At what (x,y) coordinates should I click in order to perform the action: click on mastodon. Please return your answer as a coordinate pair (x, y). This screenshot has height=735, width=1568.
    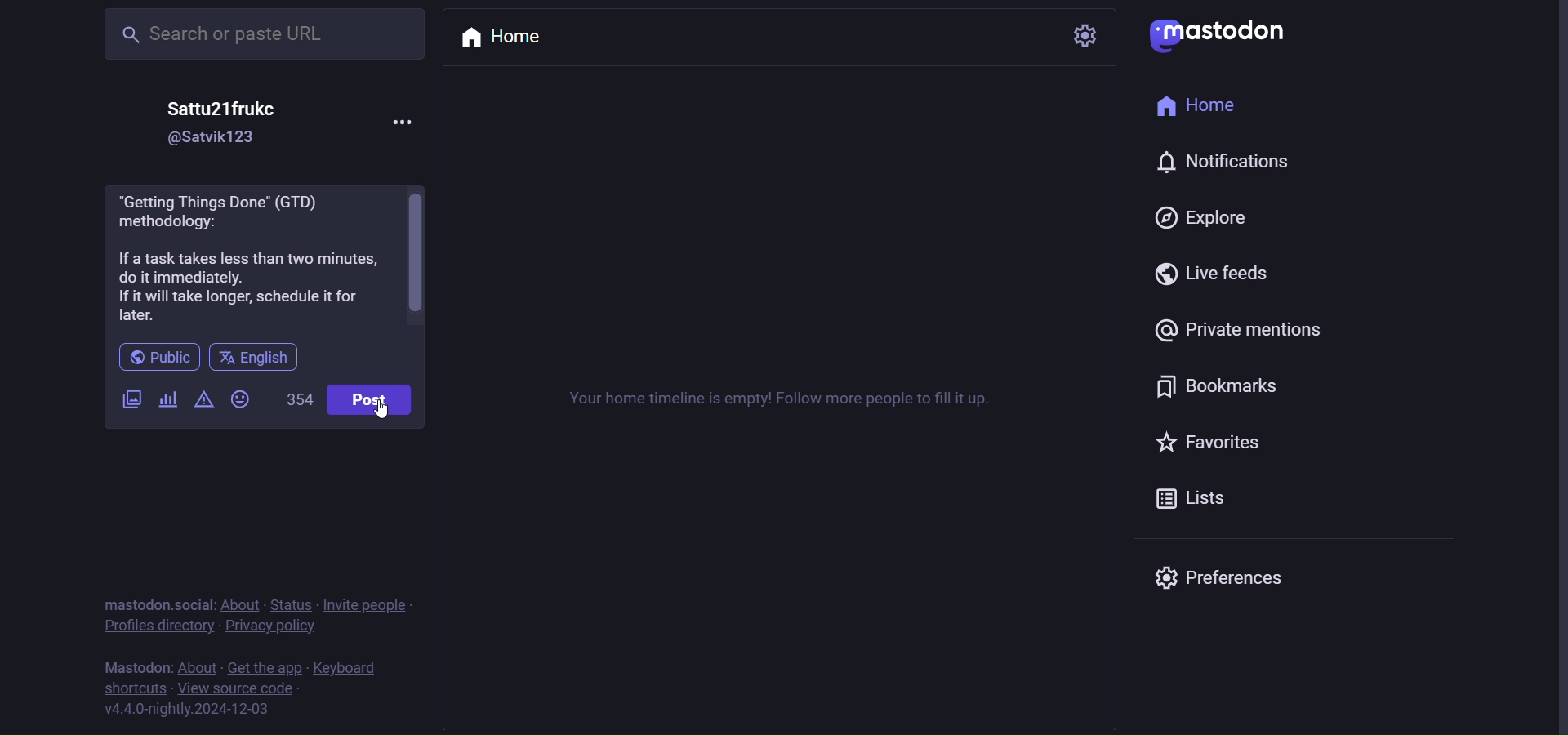
    Looking at the image, I should click on (1220, 35).